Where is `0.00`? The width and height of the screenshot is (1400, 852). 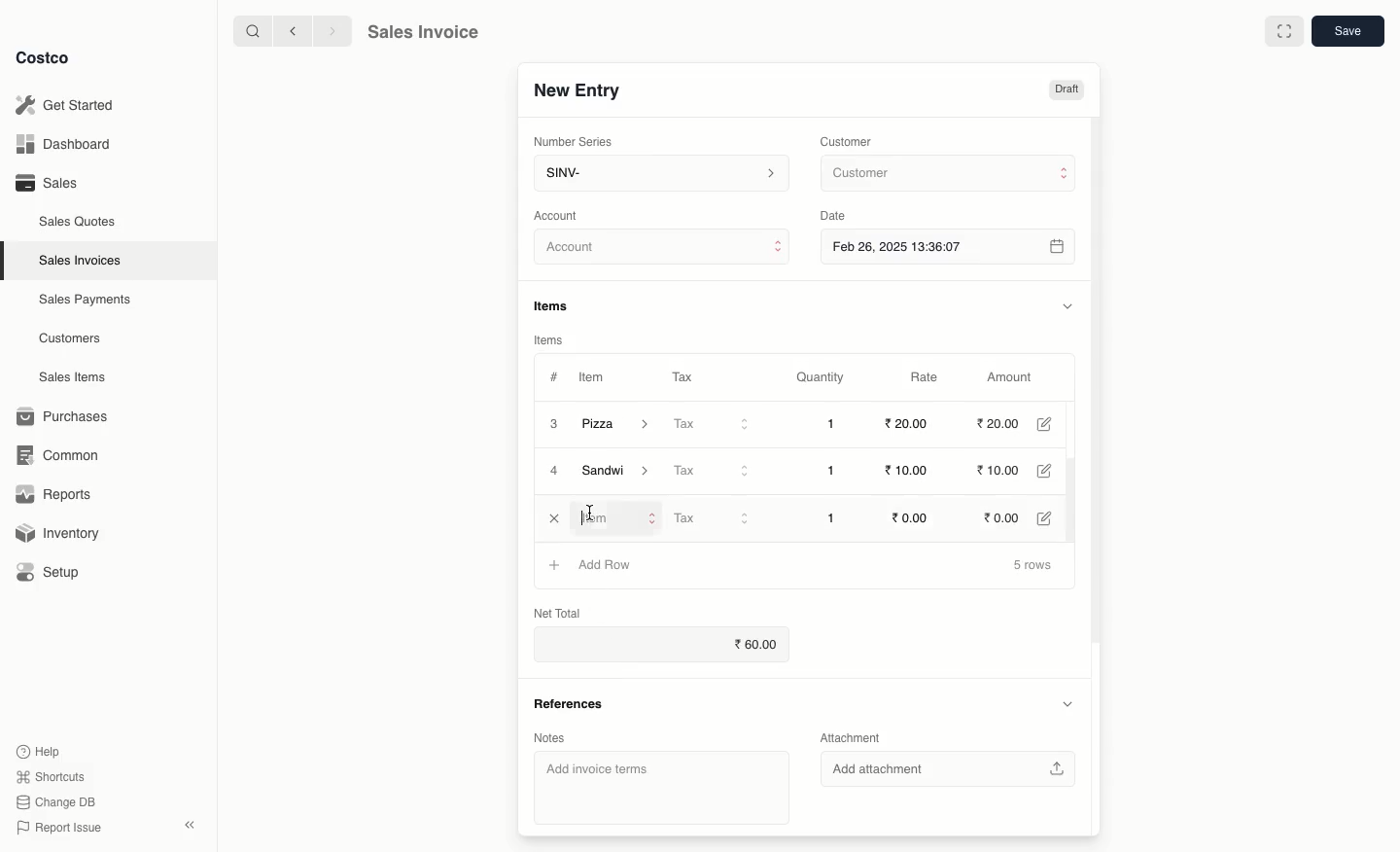
0.00 is located at coordinates (914, 516).